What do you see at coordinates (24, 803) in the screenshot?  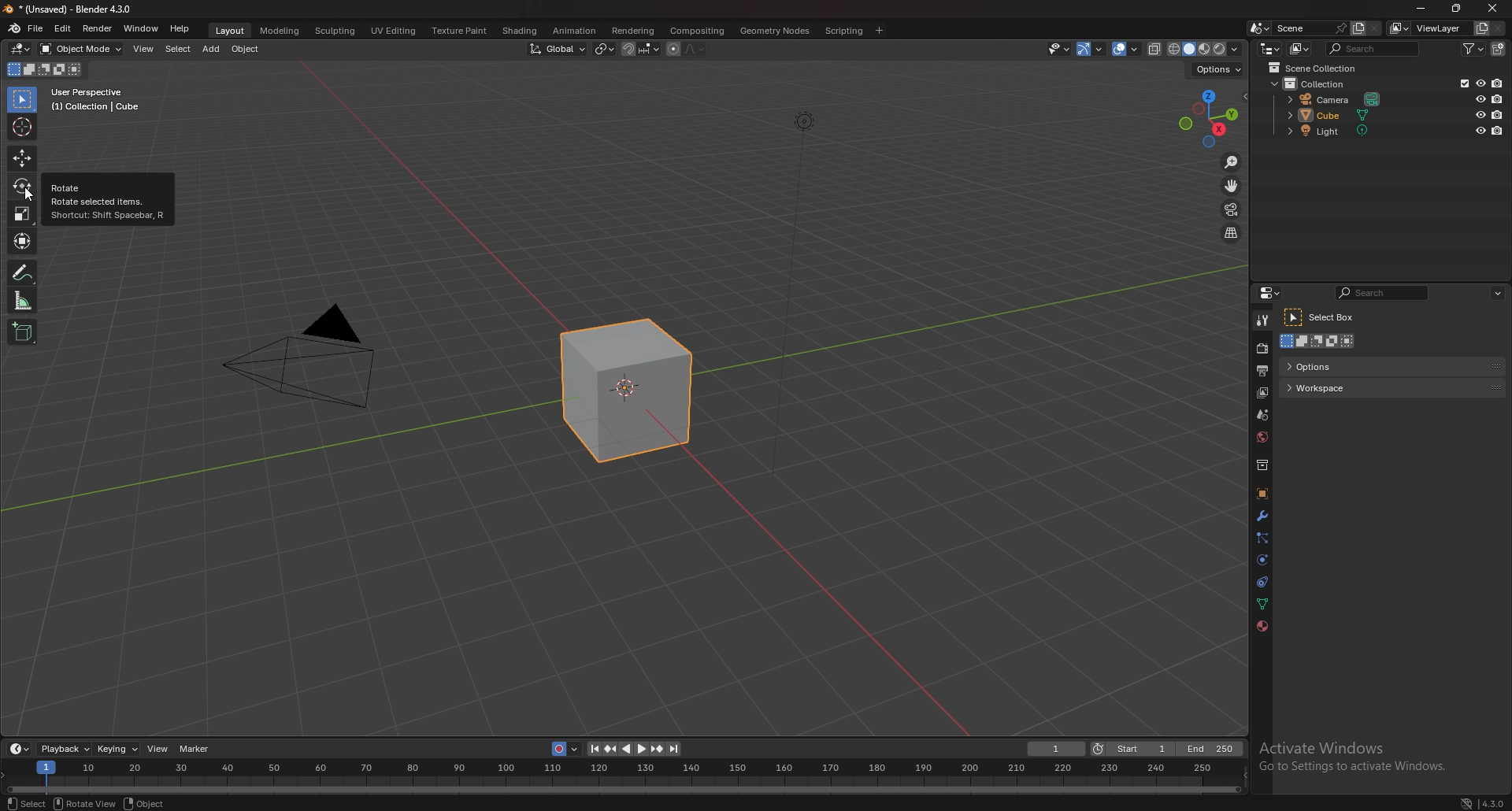 I see `select` at bounding box center [24, 803].